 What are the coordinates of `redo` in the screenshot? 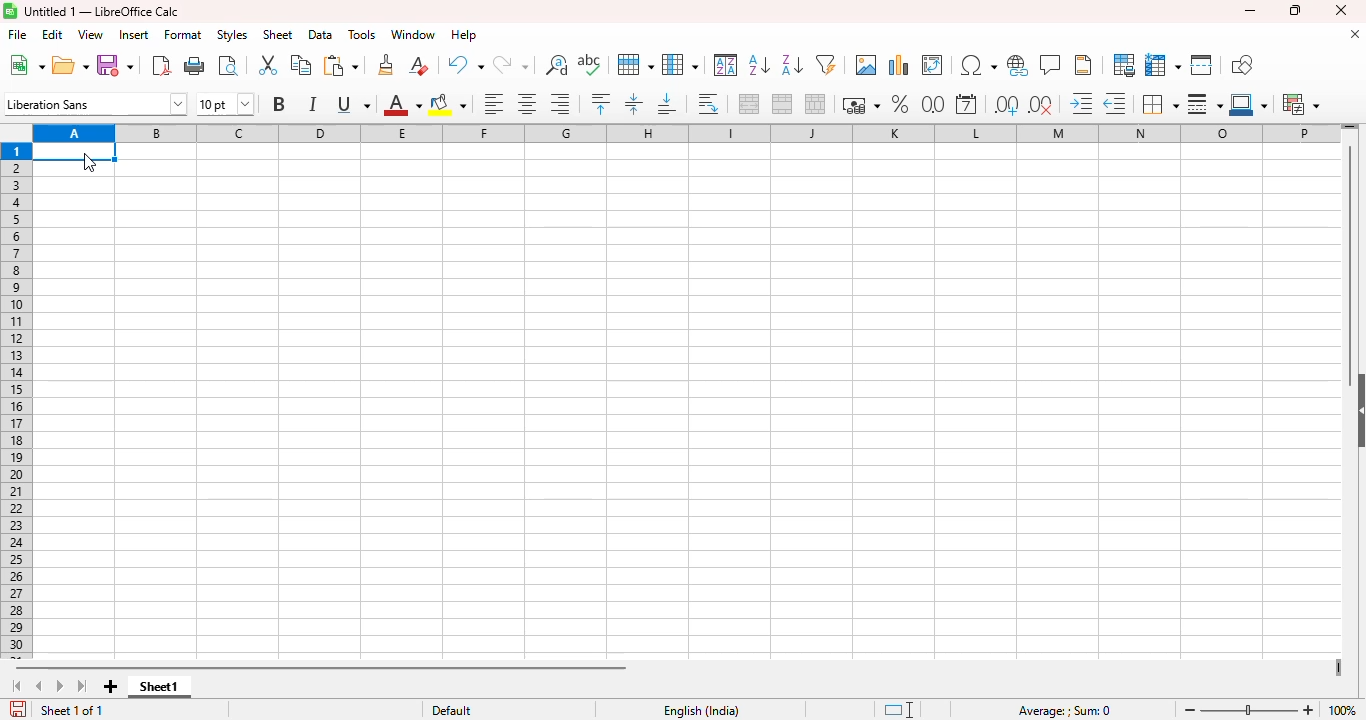 It's located at (511, 66).